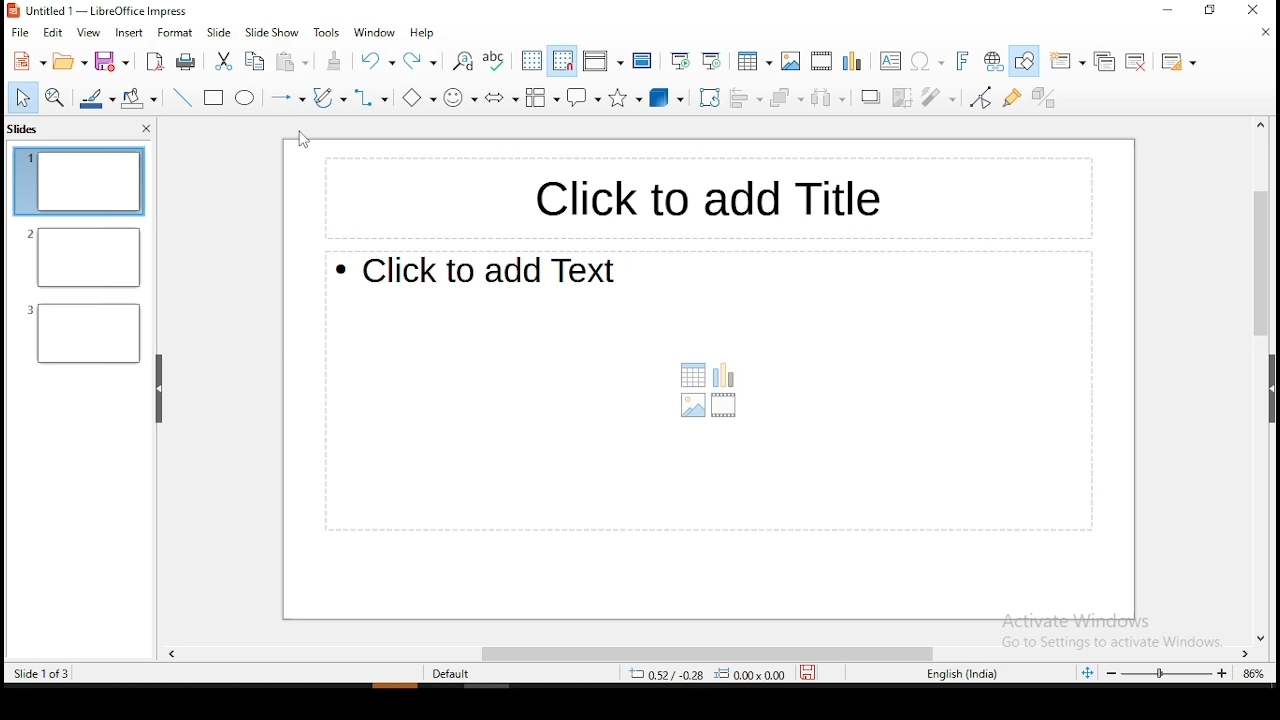  Describe the element at coordinates (709, 199) in the screenshot. I see `Text box` at that location.